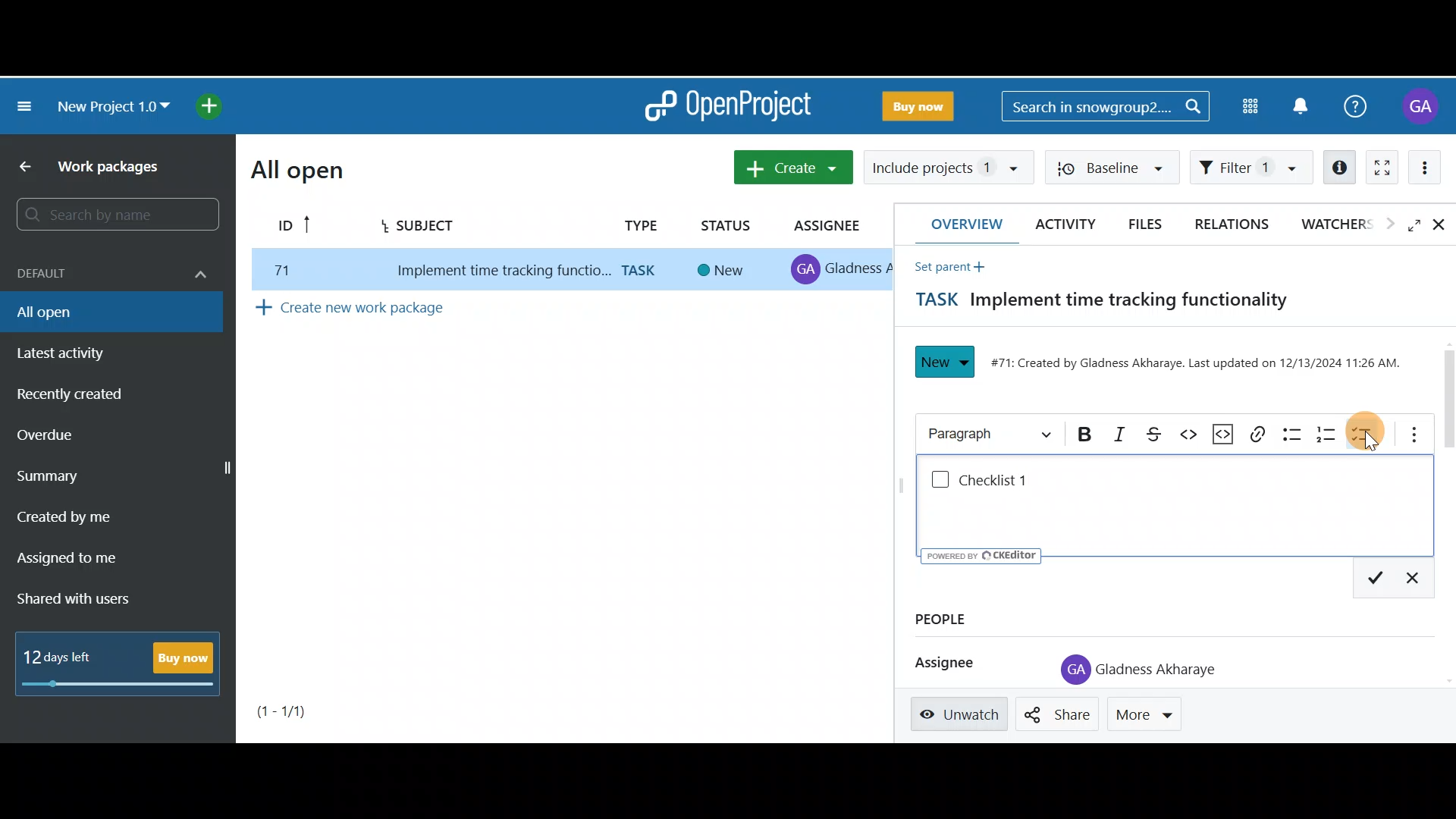 Image resolution: width=1456 pixels, height=819 pixels. I want to click on Assignee, so click(831, 226).